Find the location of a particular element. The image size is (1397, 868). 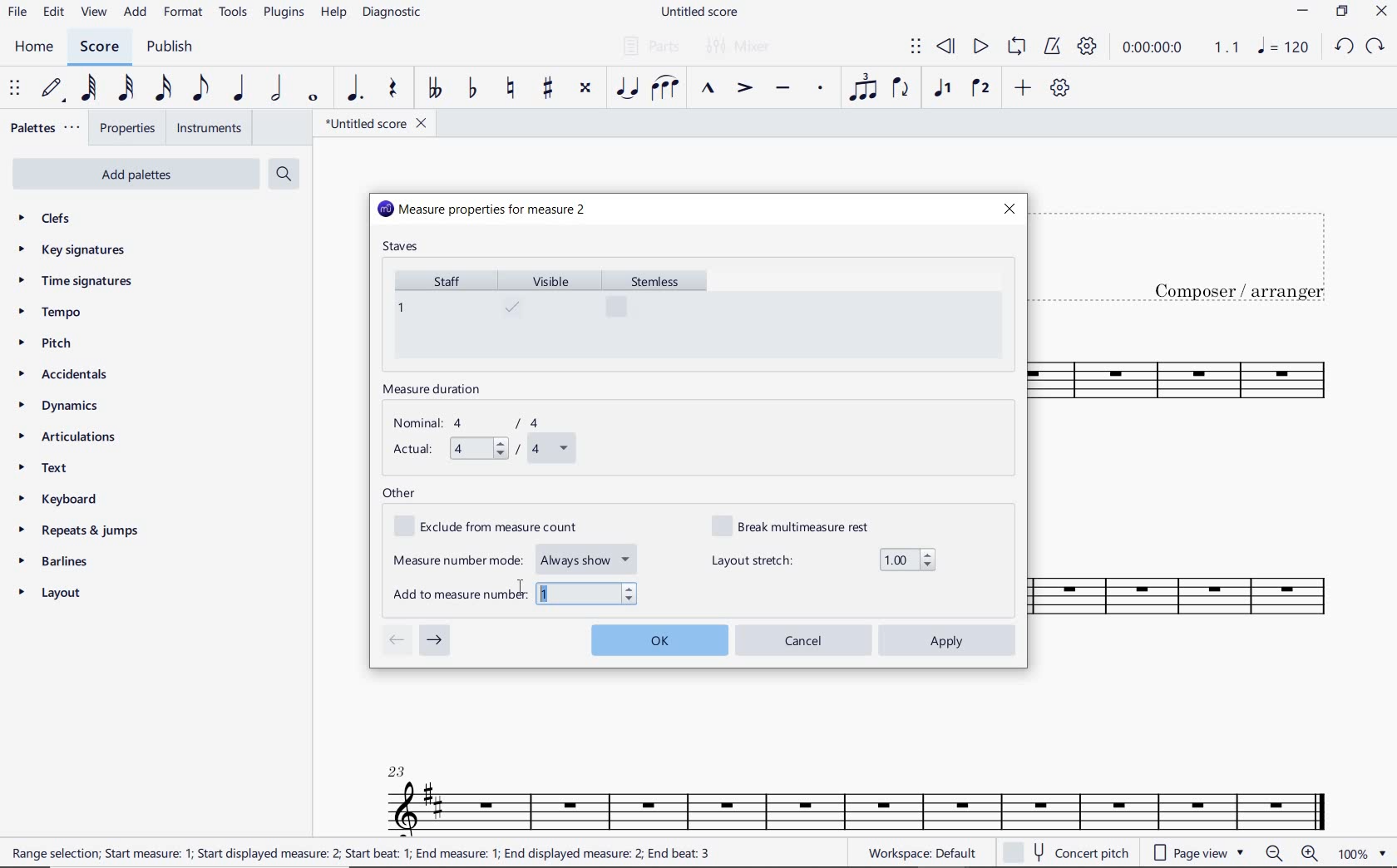

EDIT is located at coordinates (53, 14).